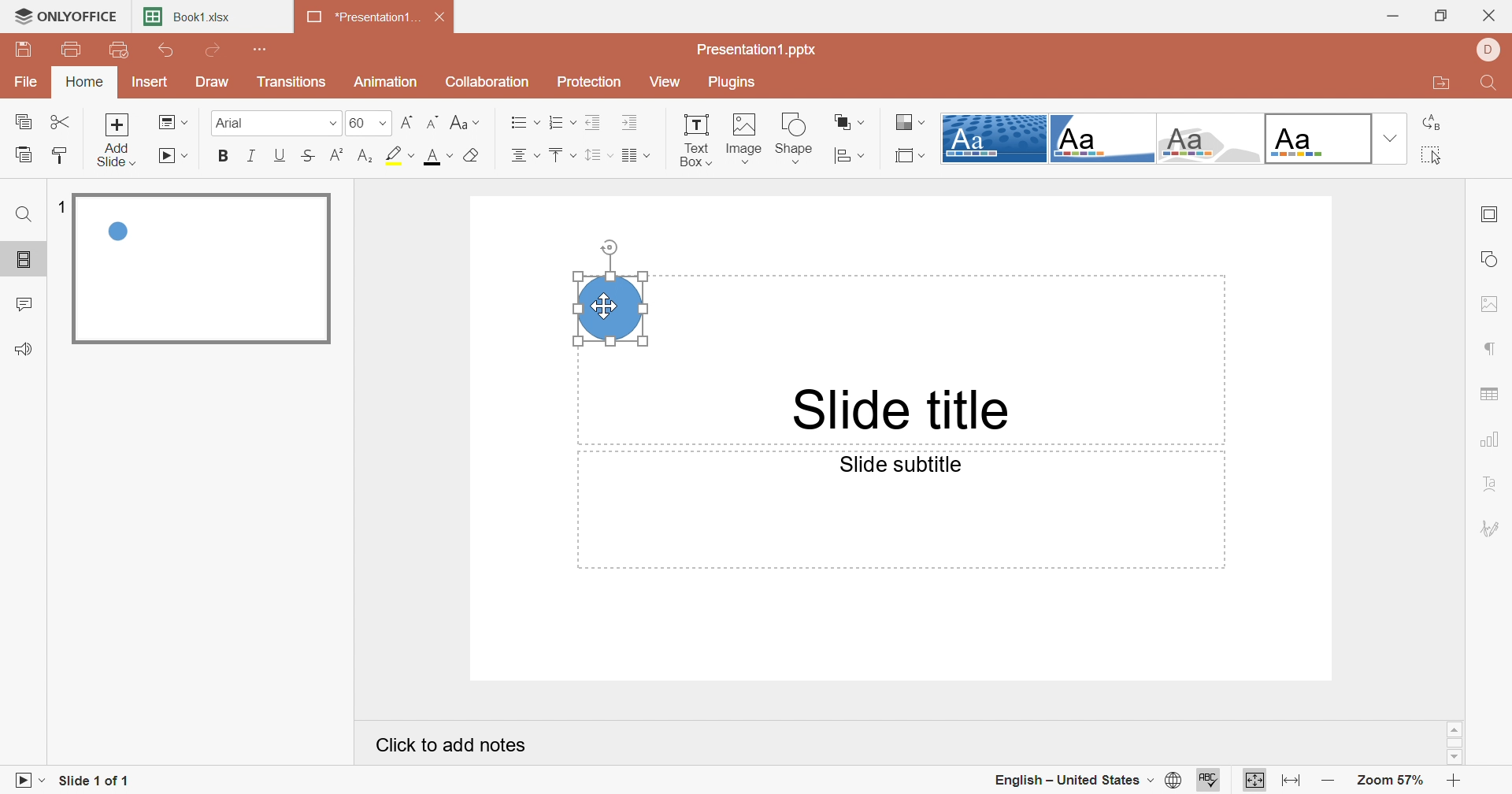  What do you see at coordinates (369, 122) in the screenshot?
I see `Font size` at bounding box center [369, 122].